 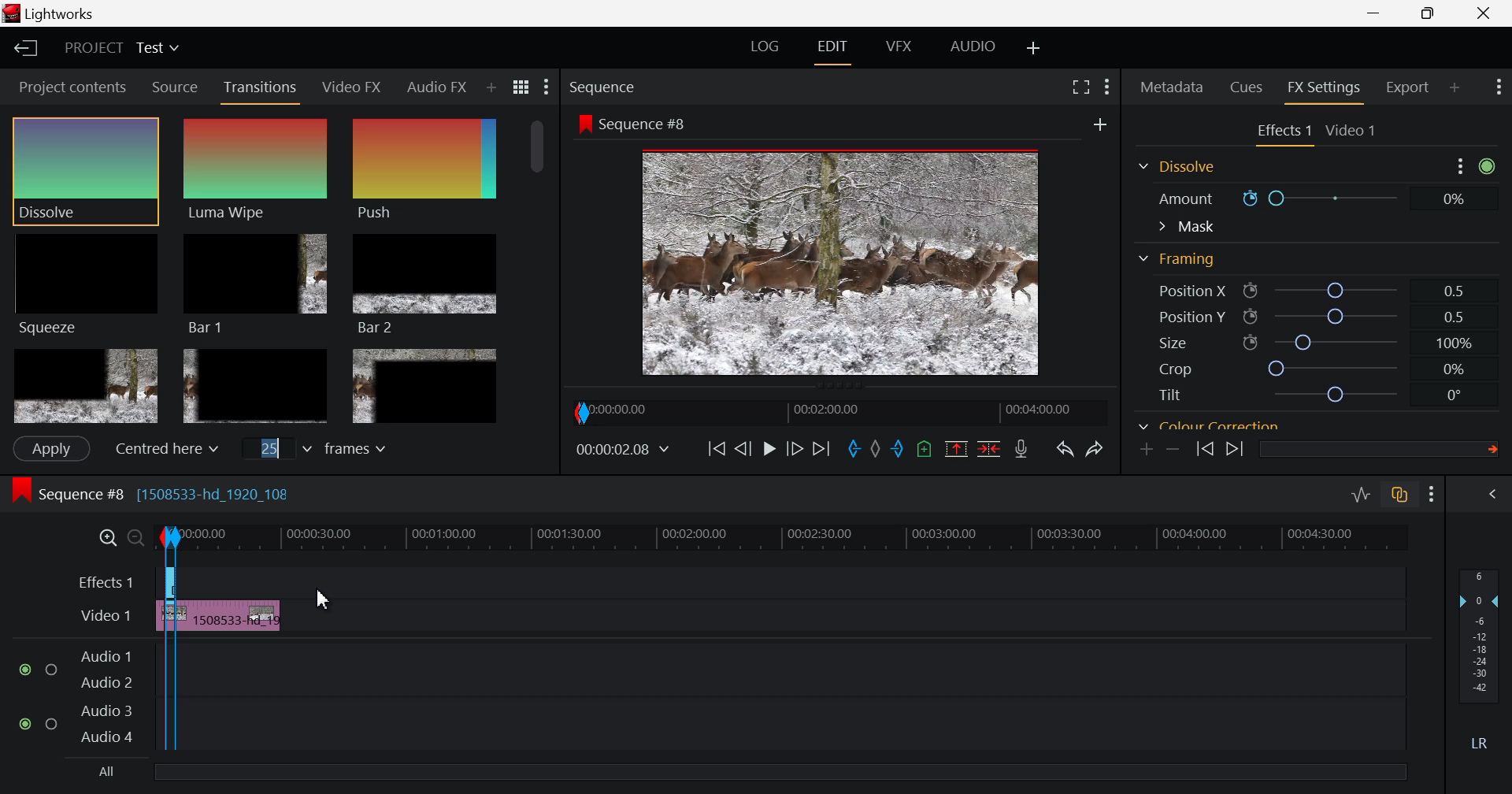 I want to click on Position X, so click(x=1303, y=198).